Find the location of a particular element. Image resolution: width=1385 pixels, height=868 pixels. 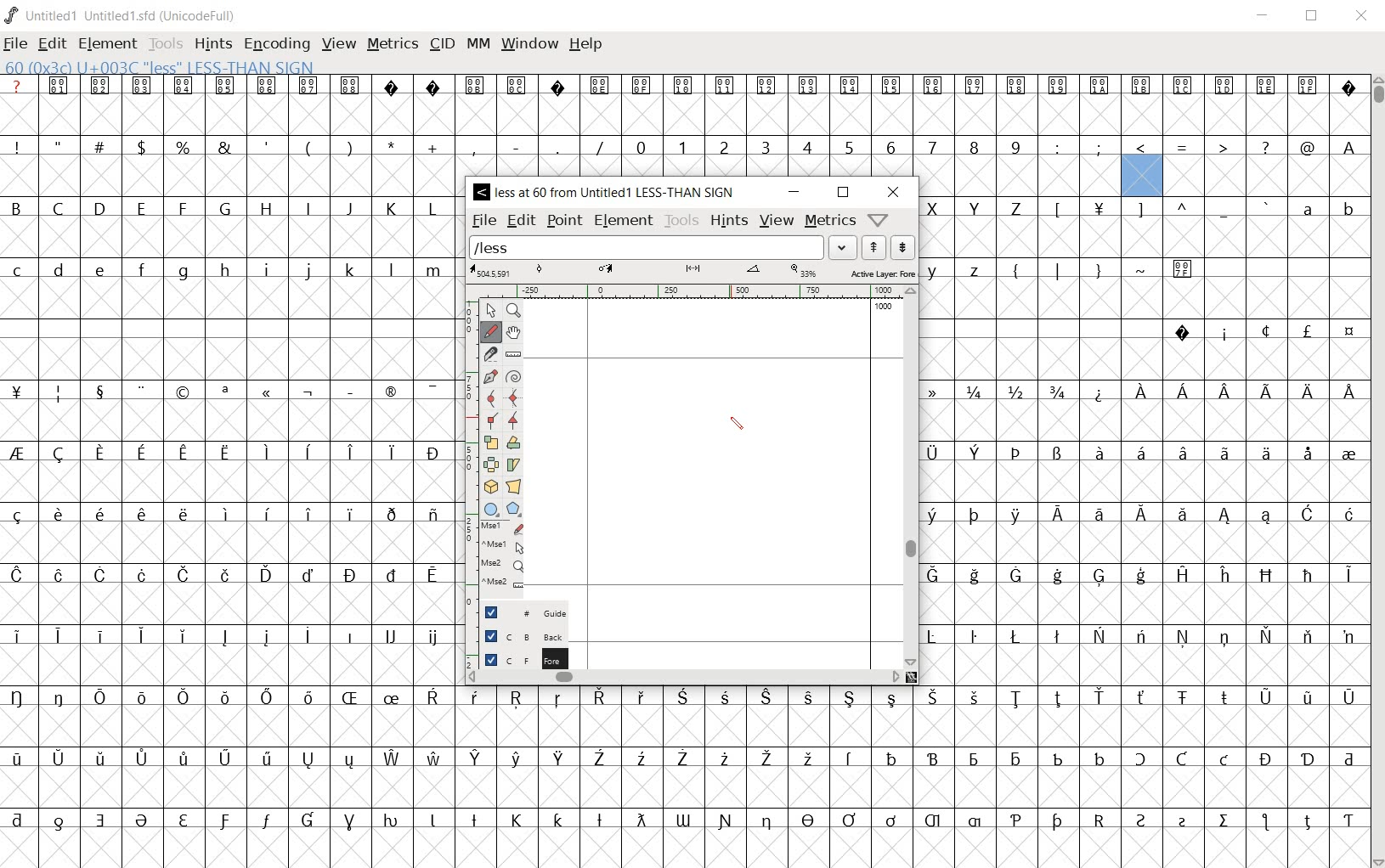

symbols is located at coordinates (1101, 268).